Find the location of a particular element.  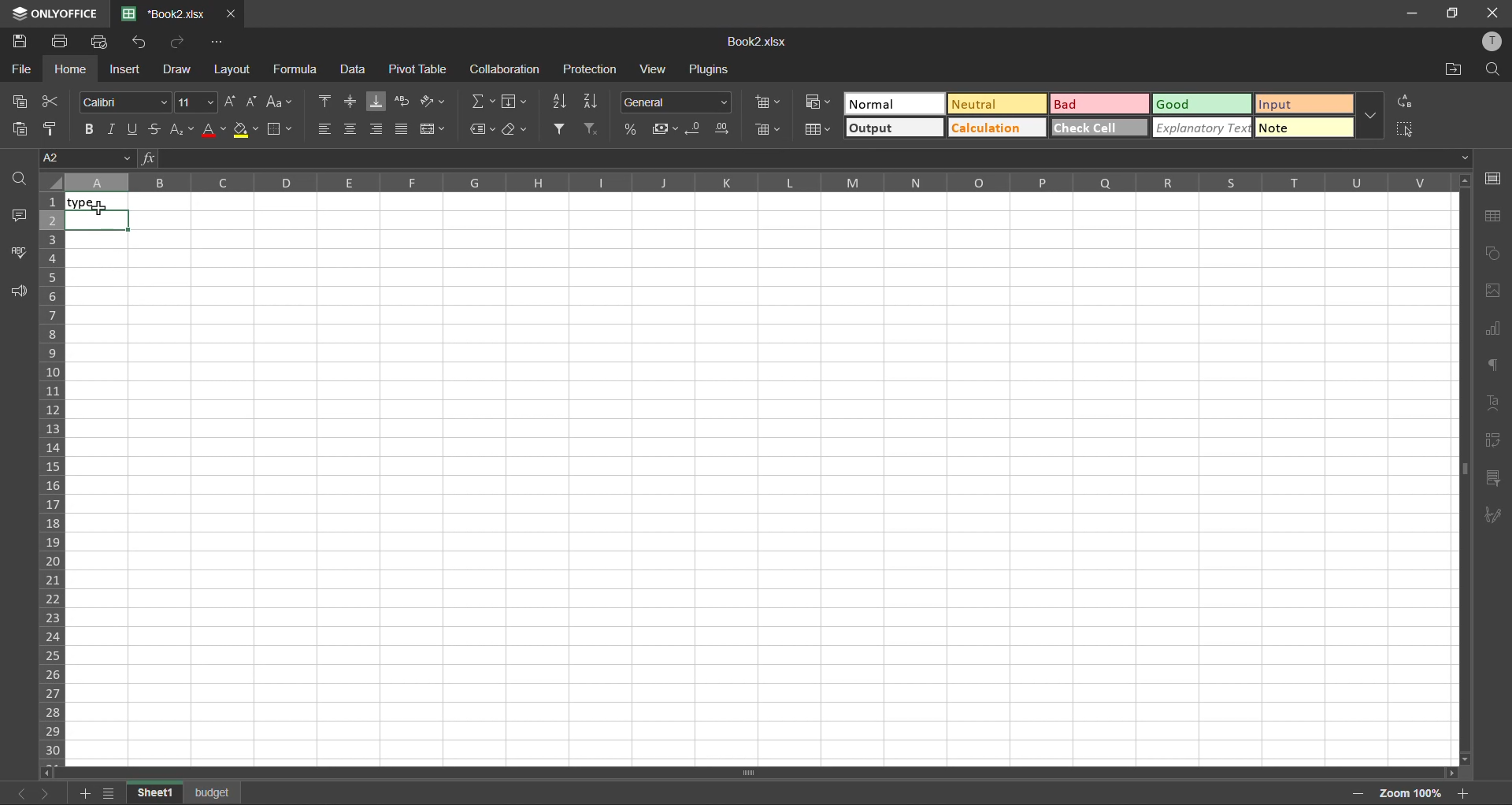

paste is located at coordinates (22, 129).